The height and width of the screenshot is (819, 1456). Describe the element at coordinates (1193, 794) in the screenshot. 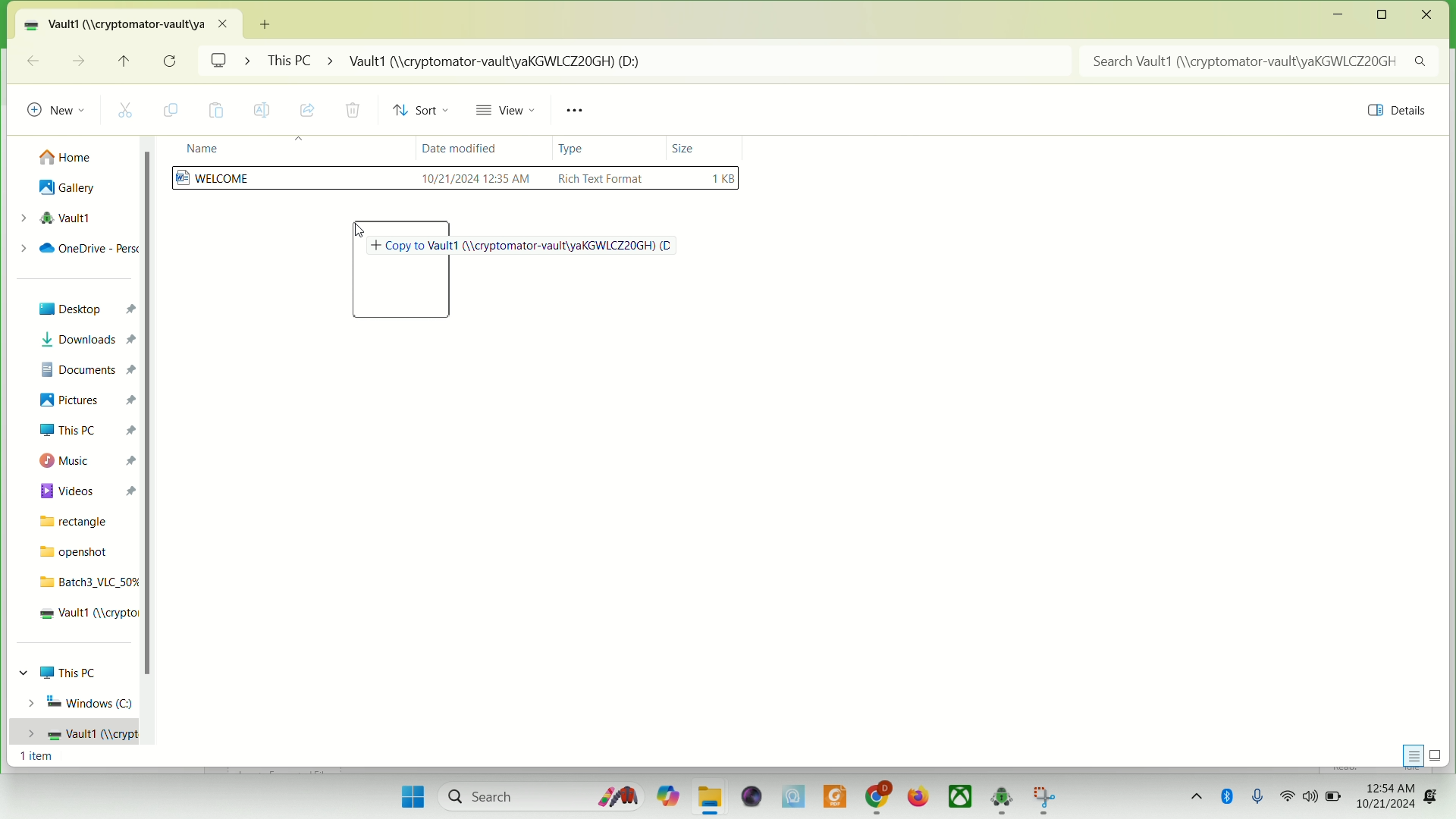

I see `show hidden icons` at that location.